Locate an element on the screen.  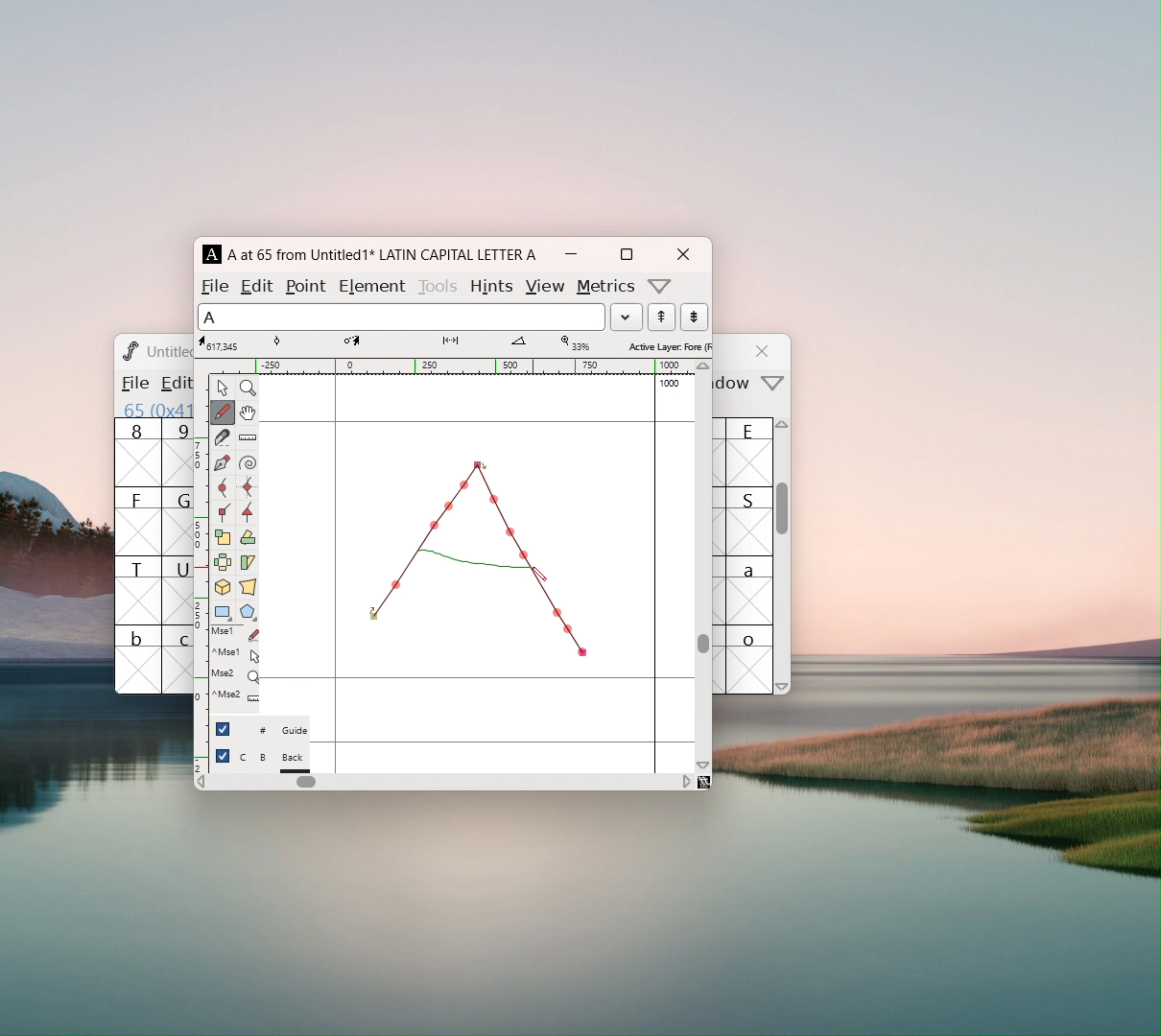
scroll right is located at coordinates (686, 781).